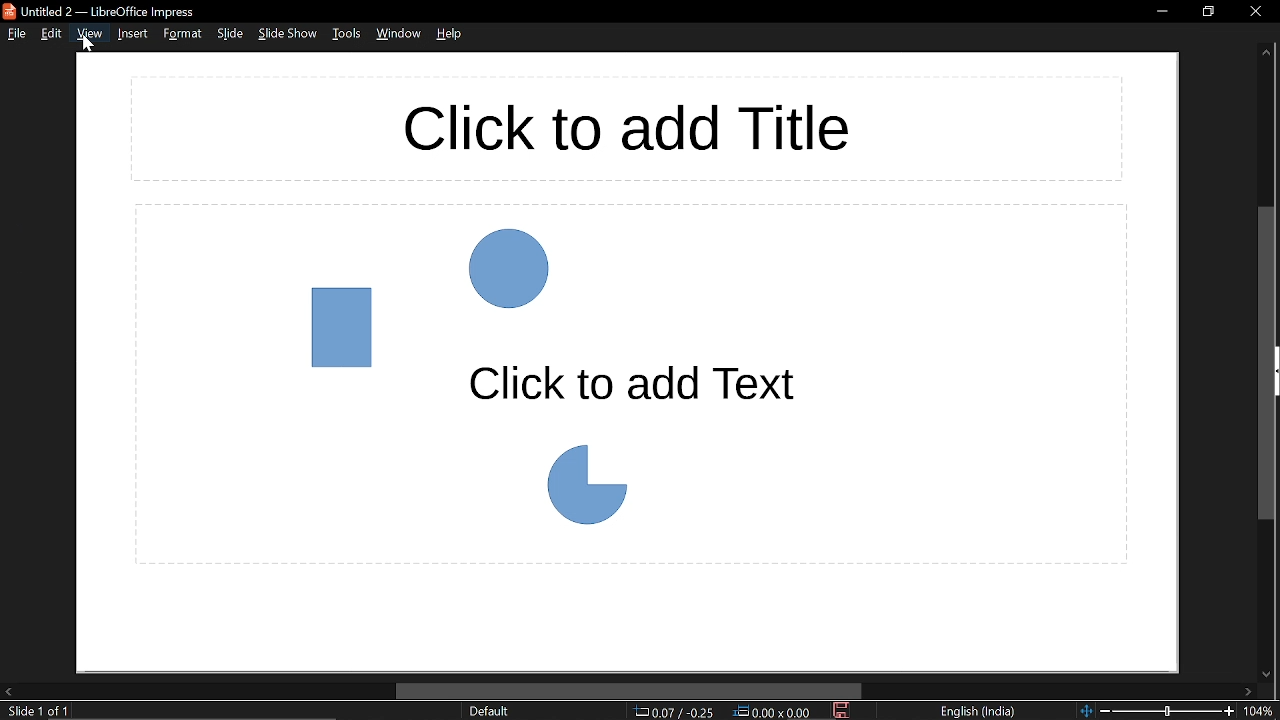 The height and width of the screenshot is (720, 1280). What do you see at coordinates (630, 385) in the screenshot?
I see `Space for adding text` at bounding box center [630, 385].